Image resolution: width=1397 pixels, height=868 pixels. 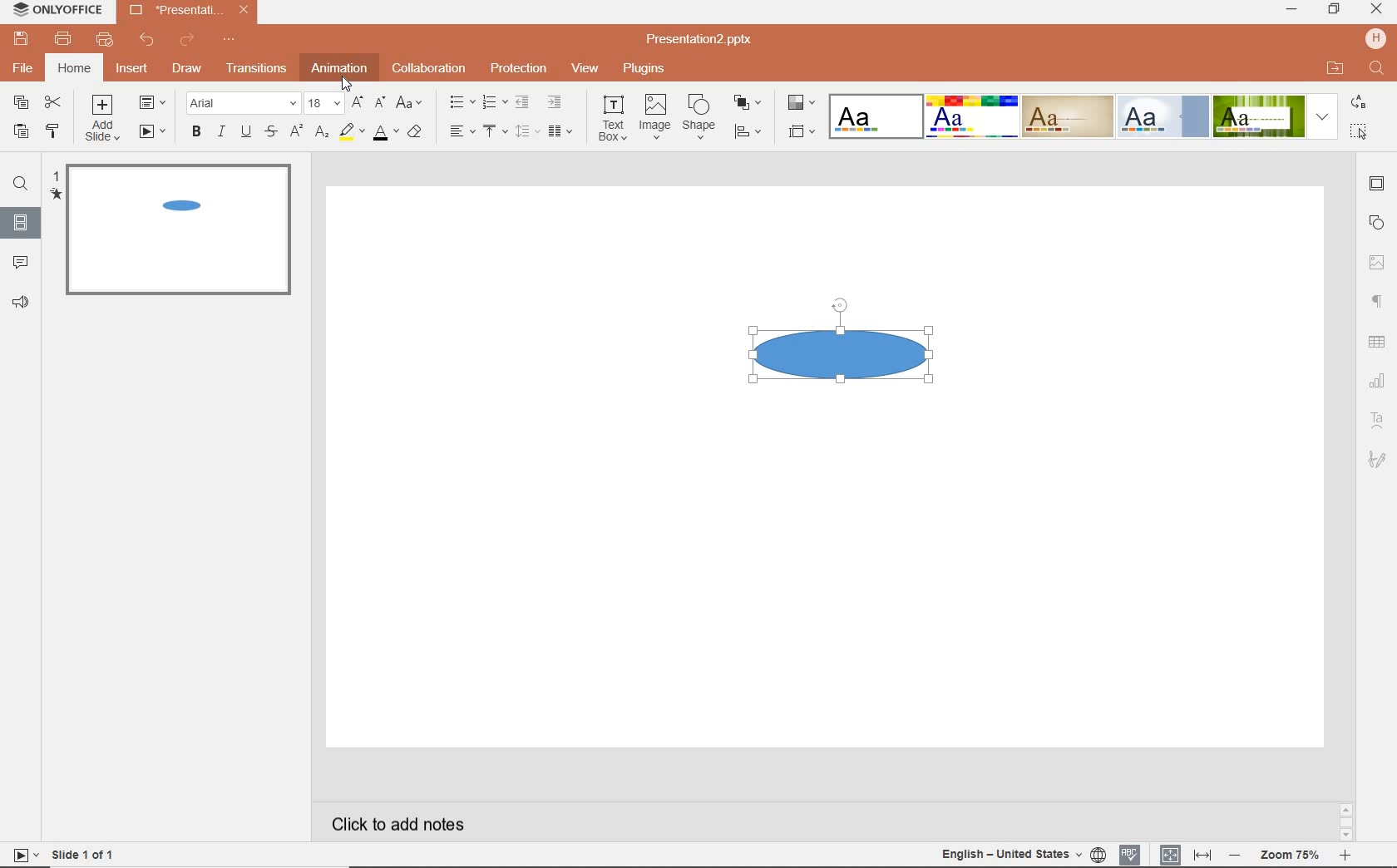 What do you see at coordinates (149, 39) in the screenshot?
I see `undo` at bounding box center [149, 39].